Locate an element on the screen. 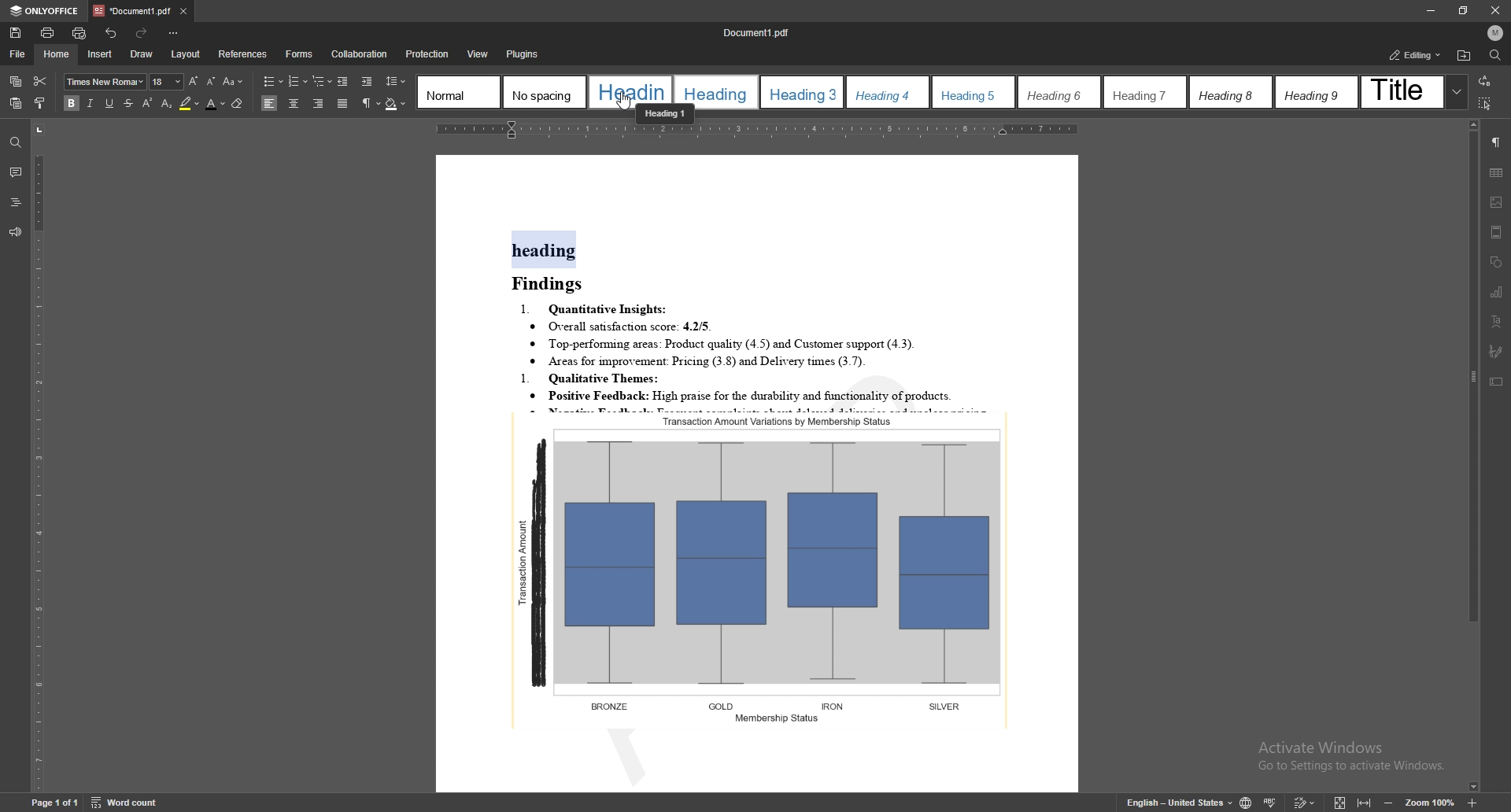  heading is located at coordinates (16, 203).